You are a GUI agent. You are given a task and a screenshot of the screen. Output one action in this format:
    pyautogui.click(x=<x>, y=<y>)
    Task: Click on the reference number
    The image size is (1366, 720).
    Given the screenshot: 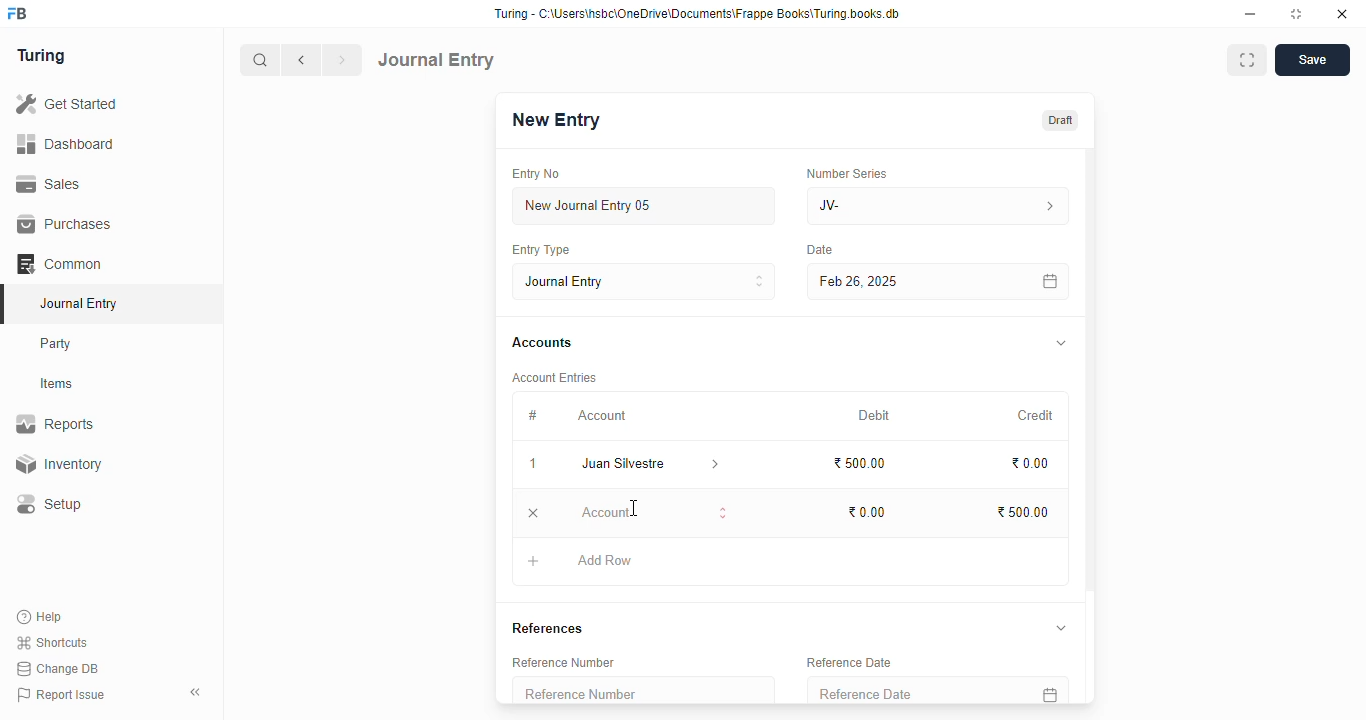 What is the action you would take?
    pyautogui.click(x=563, y=662)
    